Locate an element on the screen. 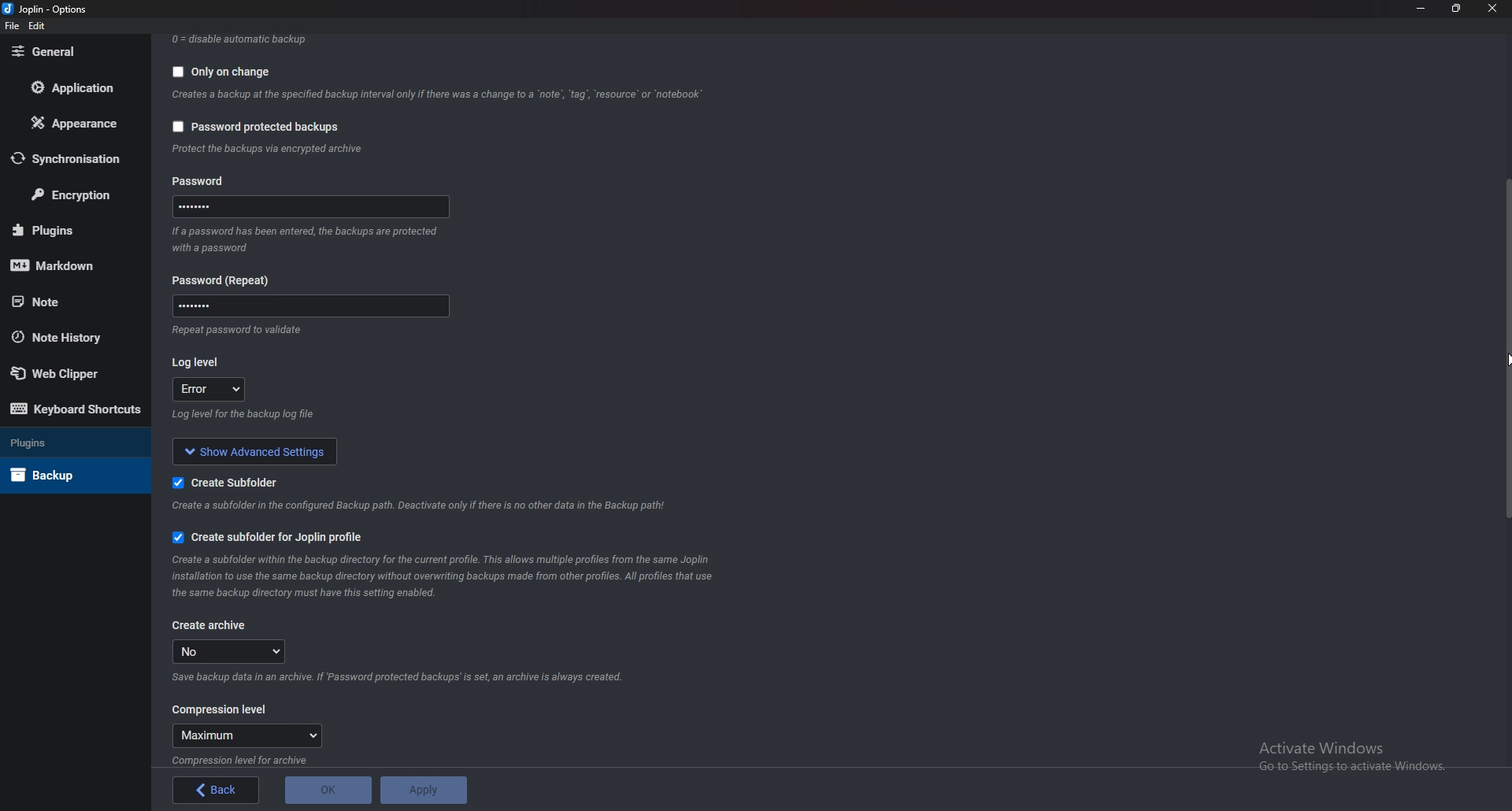 Image resolution: width=1512 pixels, height=811 pixels. Apply is located at coordinates (422, 788).